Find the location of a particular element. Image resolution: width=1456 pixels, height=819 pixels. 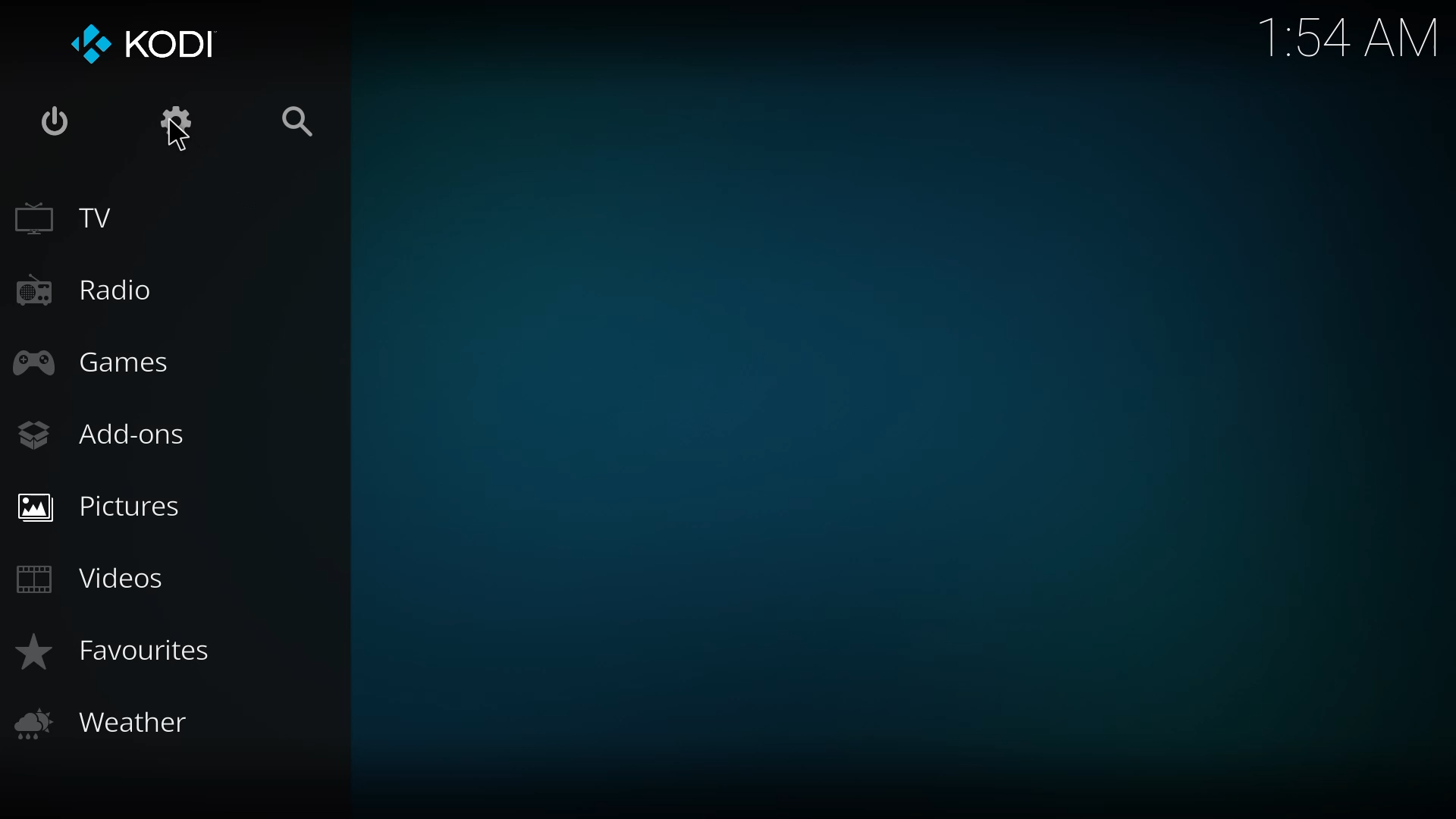

power is located at coordinates (53, 124).